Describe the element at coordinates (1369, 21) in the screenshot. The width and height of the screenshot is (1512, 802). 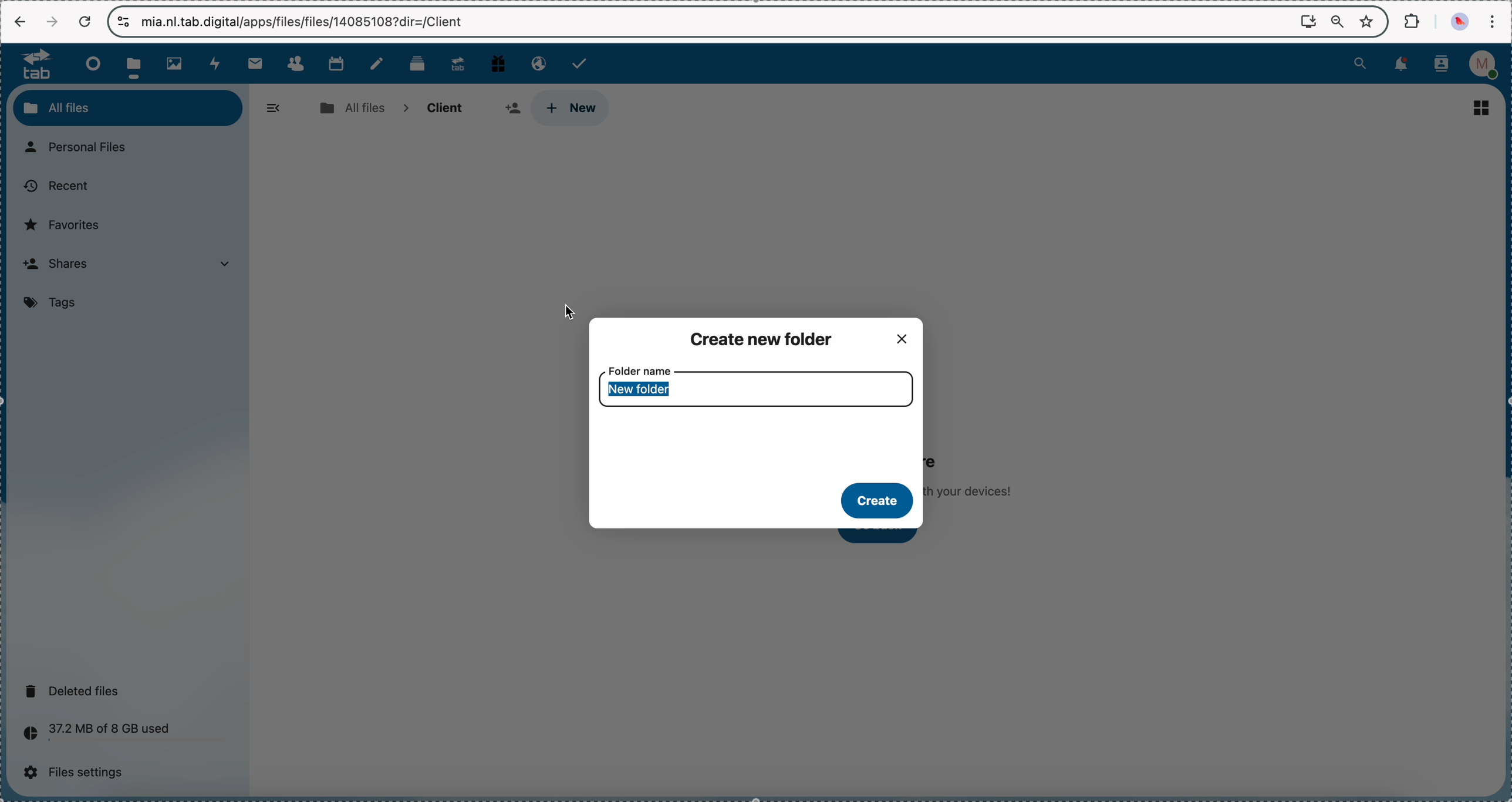
I see `favorites` at that location.